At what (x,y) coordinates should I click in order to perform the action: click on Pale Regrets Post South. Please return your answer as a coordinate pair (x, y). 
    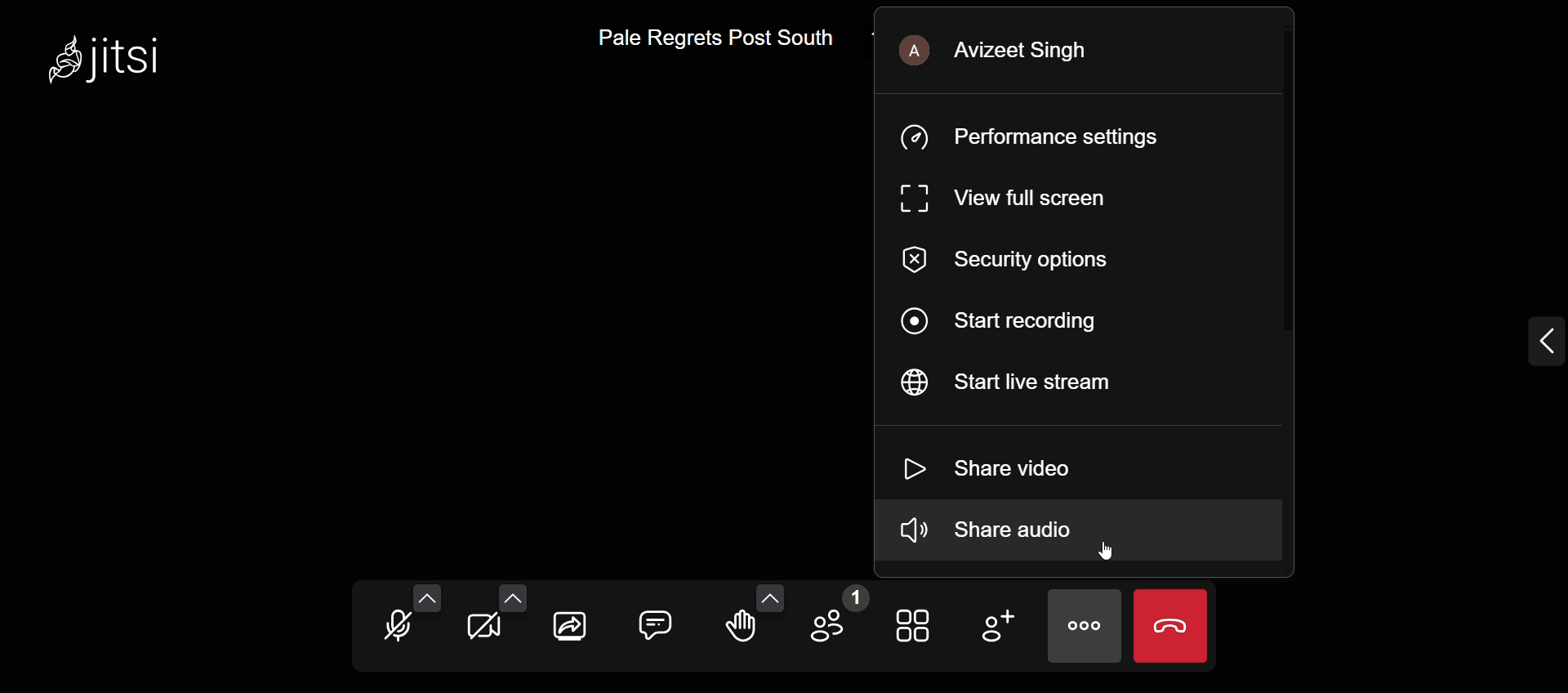
    Looking at the image, I should click on (711, 38).